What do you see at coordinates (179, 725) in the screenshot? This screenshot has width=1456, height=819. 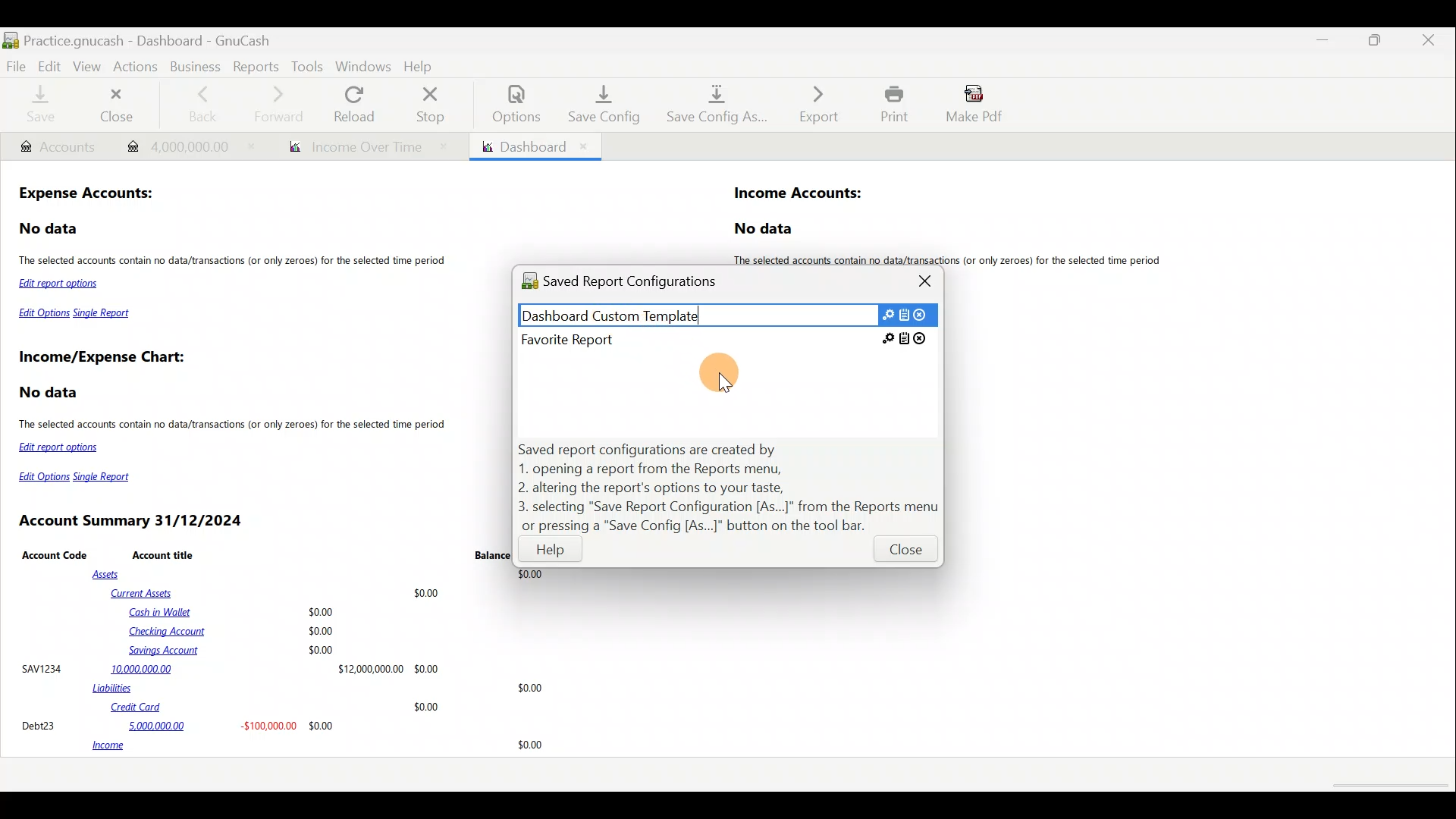 I see `Debt23 5,000,000.00 -$100,000.00 $0.00` at bounding box center [179, 725].